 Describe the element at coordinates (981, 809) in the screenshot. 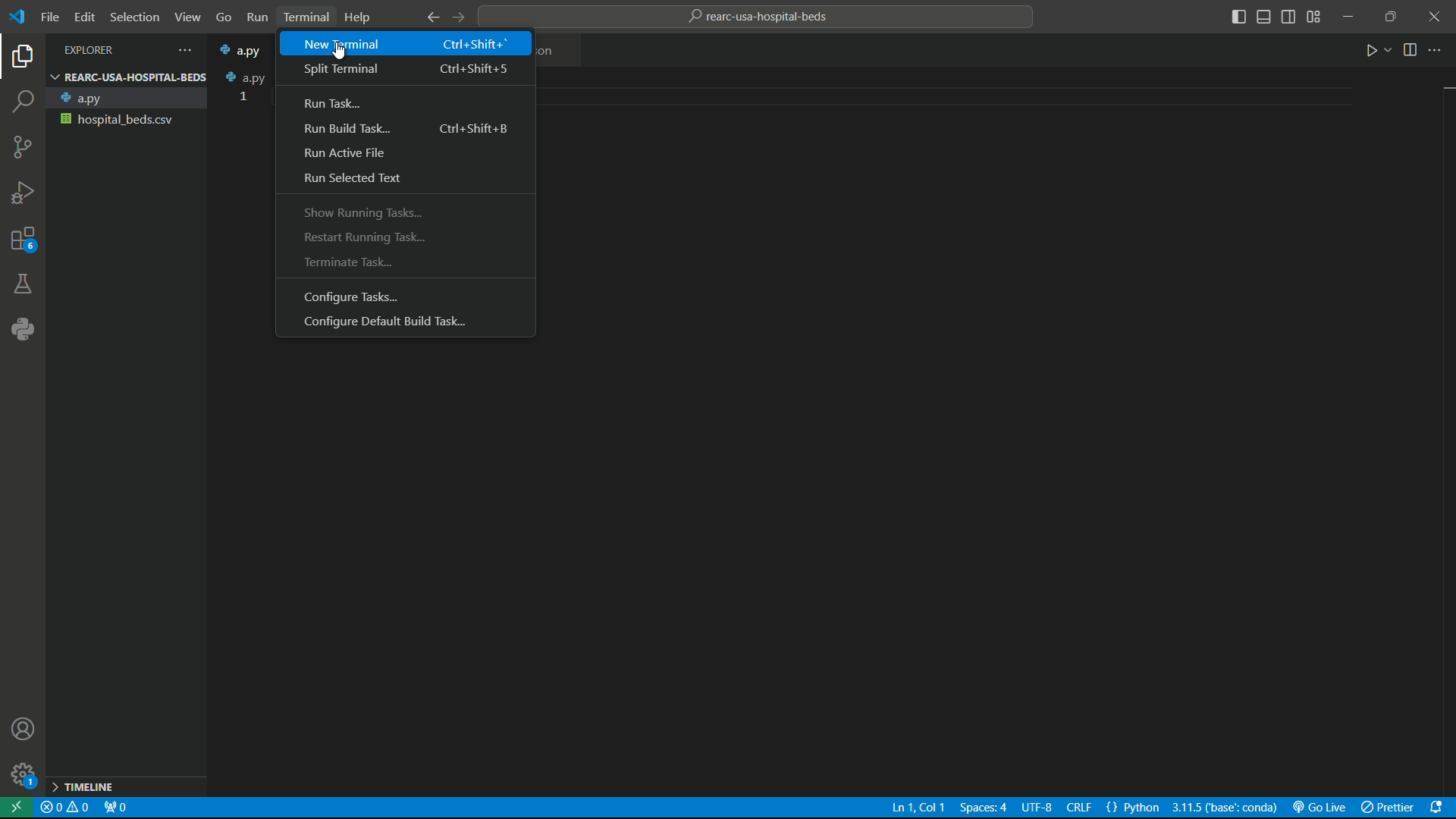

I see `select indentation` at that location.